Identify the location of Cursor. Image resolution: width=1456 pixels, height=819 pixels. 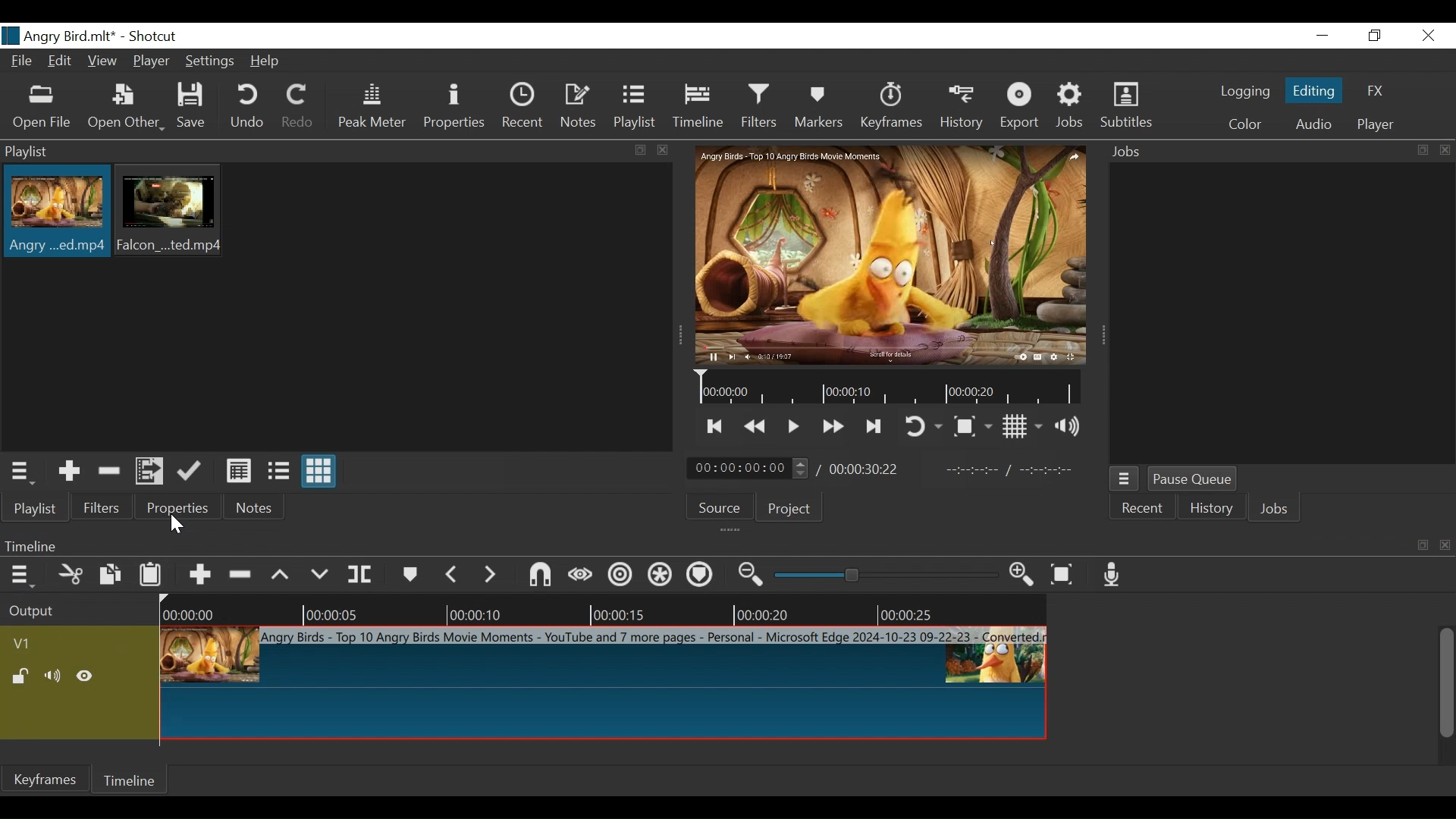
(183, 525).